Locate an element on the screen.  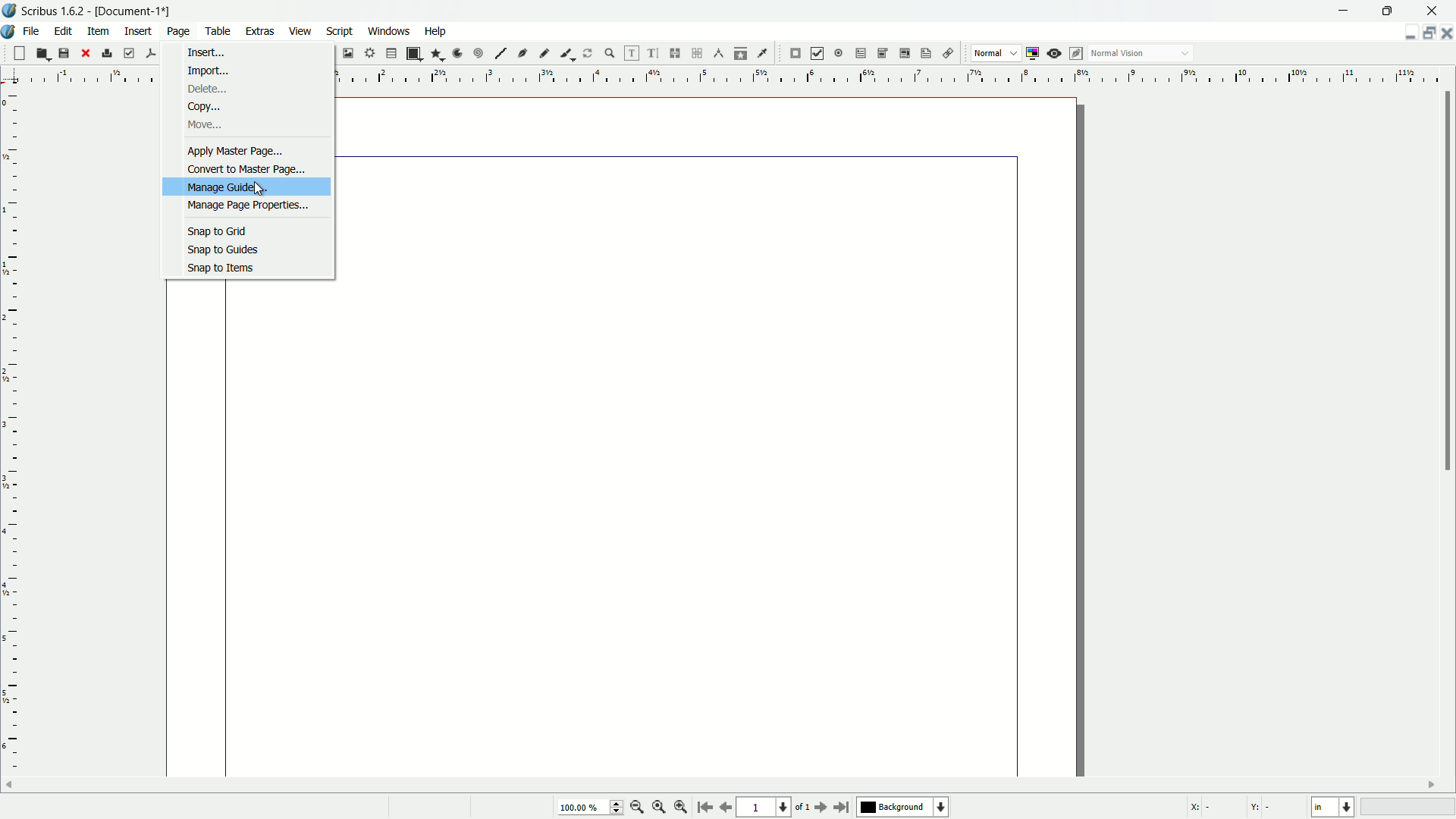
text annotation is located at coordinates (924, 54).